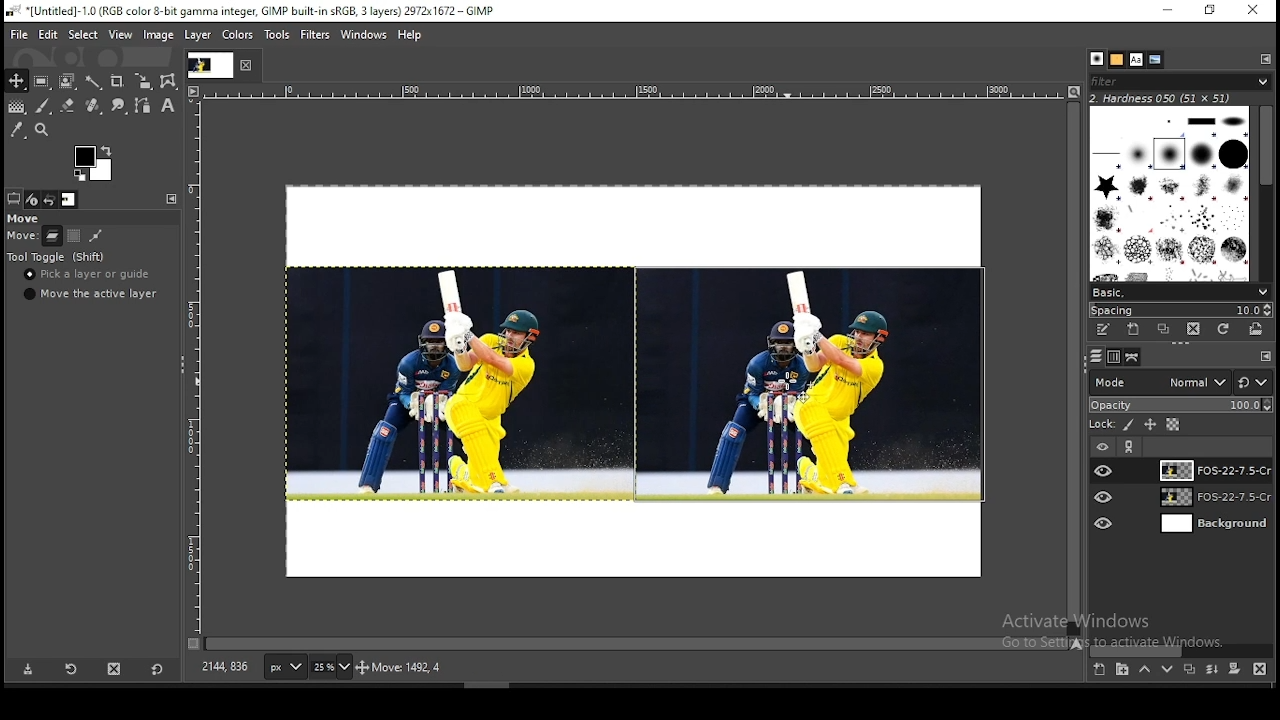 This screenshot has width=1280, height=720. I want to click on brushes filter, so click(1180, 80).